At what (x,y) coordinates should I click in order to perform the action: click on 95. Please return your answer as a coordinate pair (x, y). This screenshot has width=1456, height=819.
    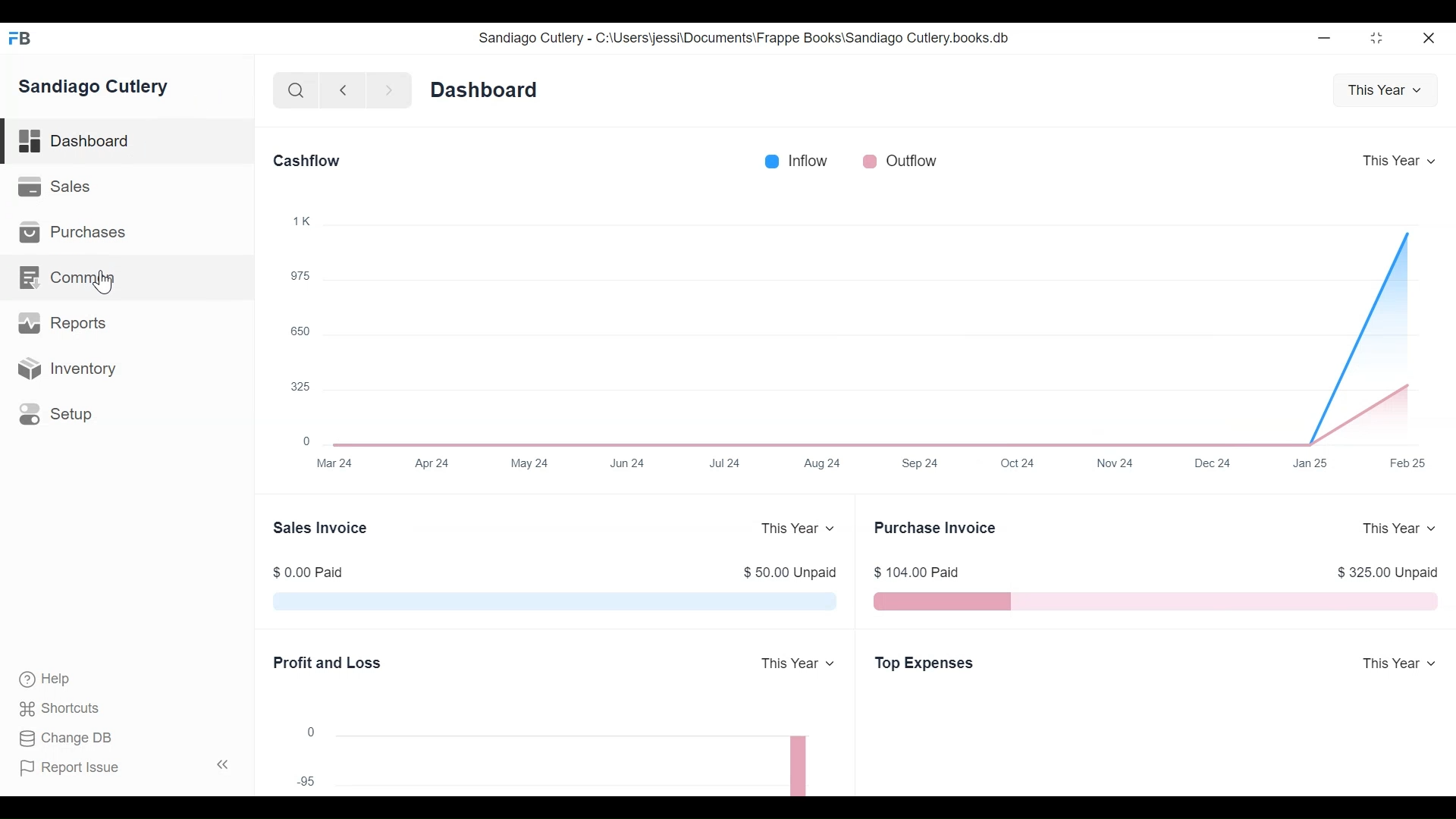
    Looking at the image, I should click on (305, 781).